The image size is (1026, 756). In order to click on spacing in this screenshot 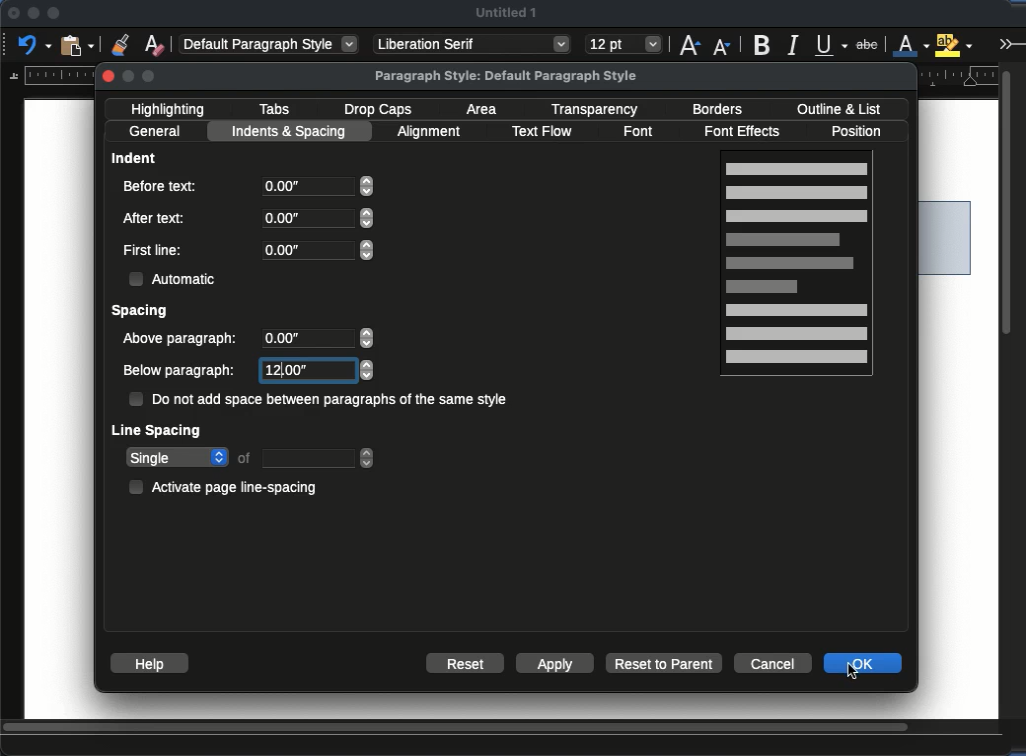, I will do `click(142, 312)`.